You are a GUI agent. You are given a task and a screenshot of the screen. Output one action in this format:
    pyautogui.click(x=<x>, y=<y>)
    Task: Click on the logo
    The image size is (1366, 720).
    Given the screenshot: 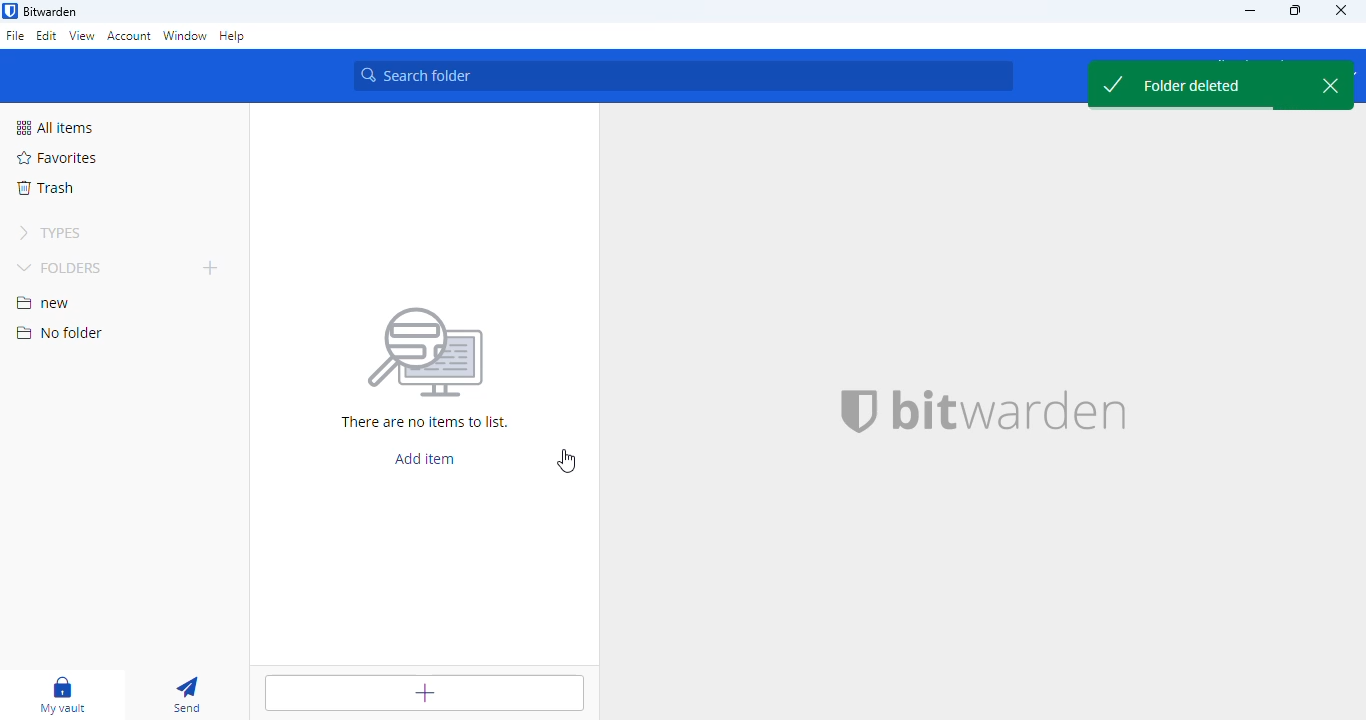 What is the action you would take?
    pyautogui.click(x=10, y=11)
    